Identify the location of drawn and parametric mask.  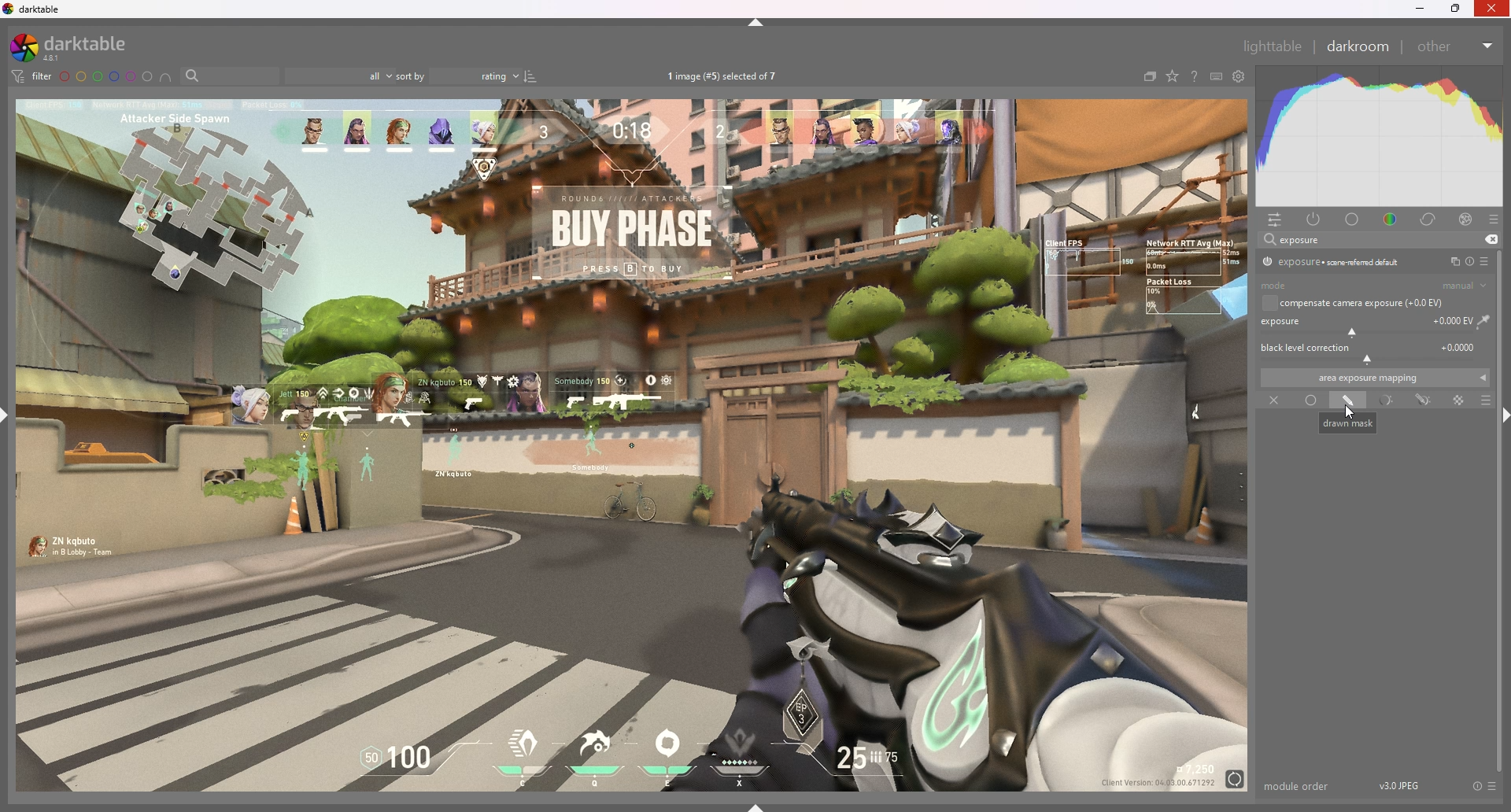
(1426, 400).